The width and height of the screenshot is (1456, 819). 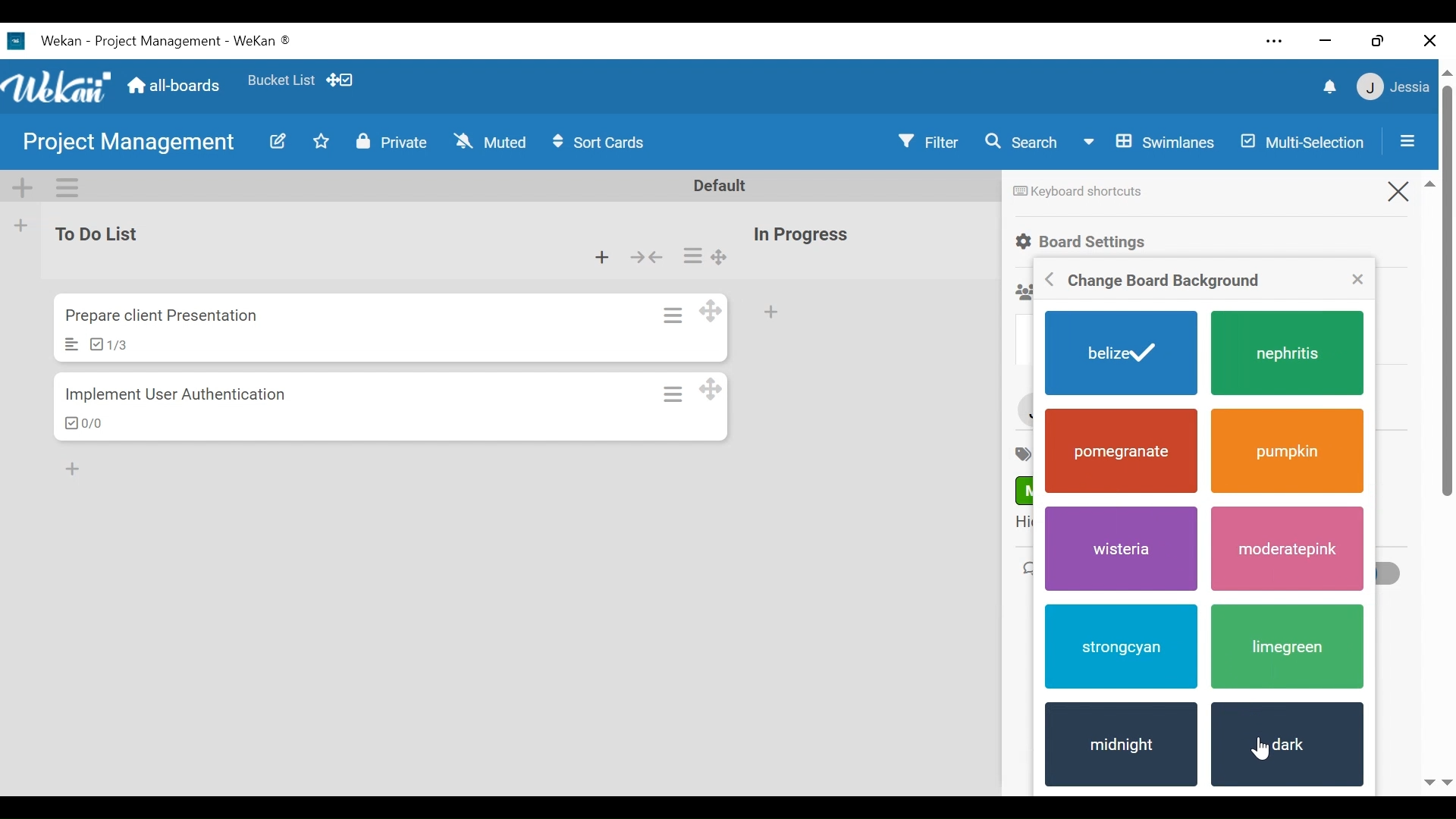 I want to click on beliez, so click(x=1122, y=354).